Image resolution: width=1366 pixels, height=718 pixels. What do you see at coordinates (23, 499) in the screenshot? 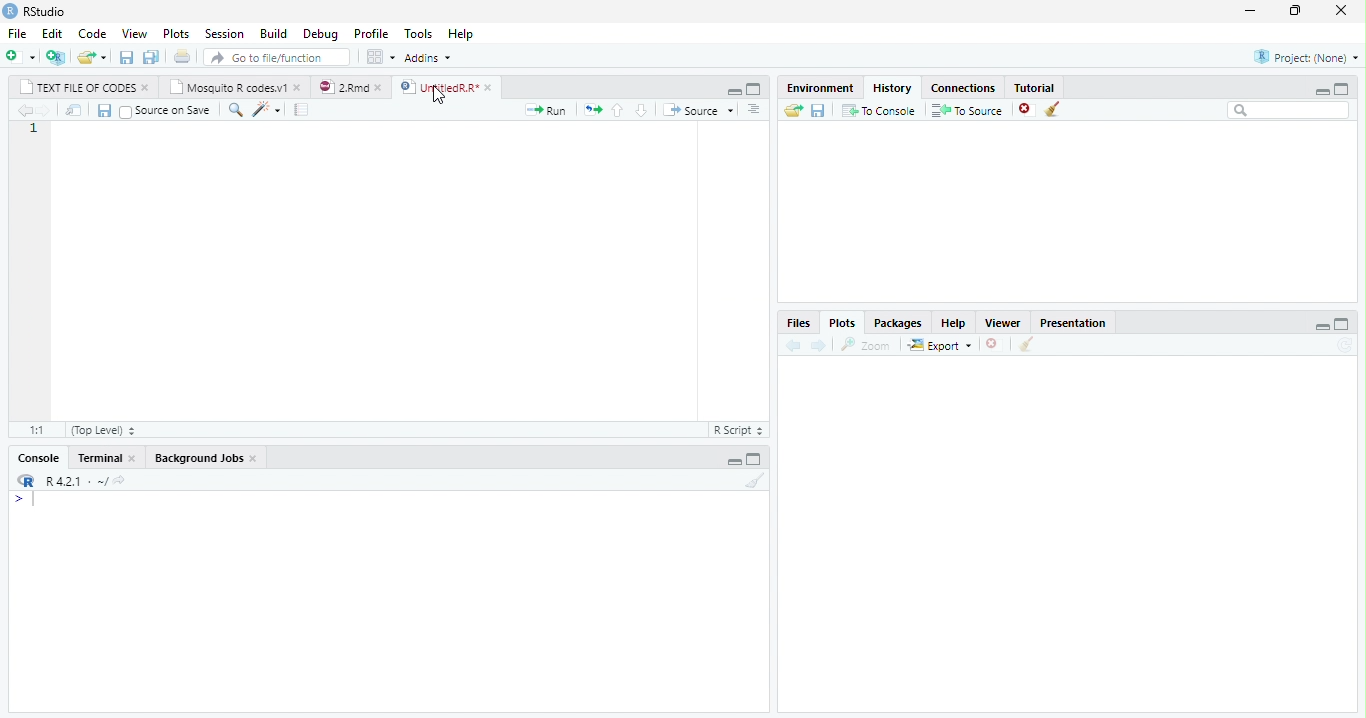
I see `typing` at bounding box center [23, 499].